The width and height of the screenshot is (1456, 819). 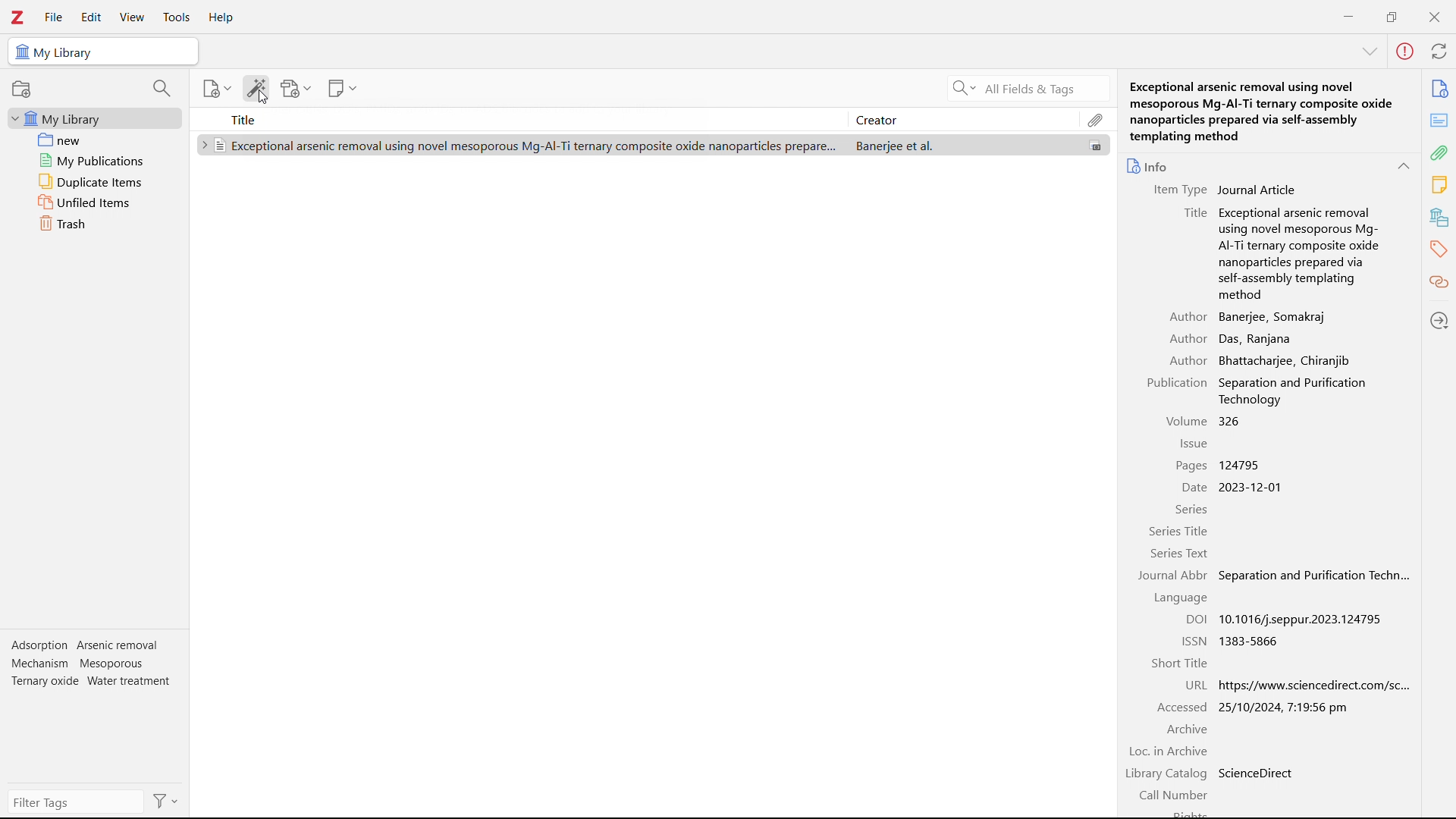 What do you see at coordinates (132, 17) in the screenshot?
I see `view` at bounding box center [132, 17].